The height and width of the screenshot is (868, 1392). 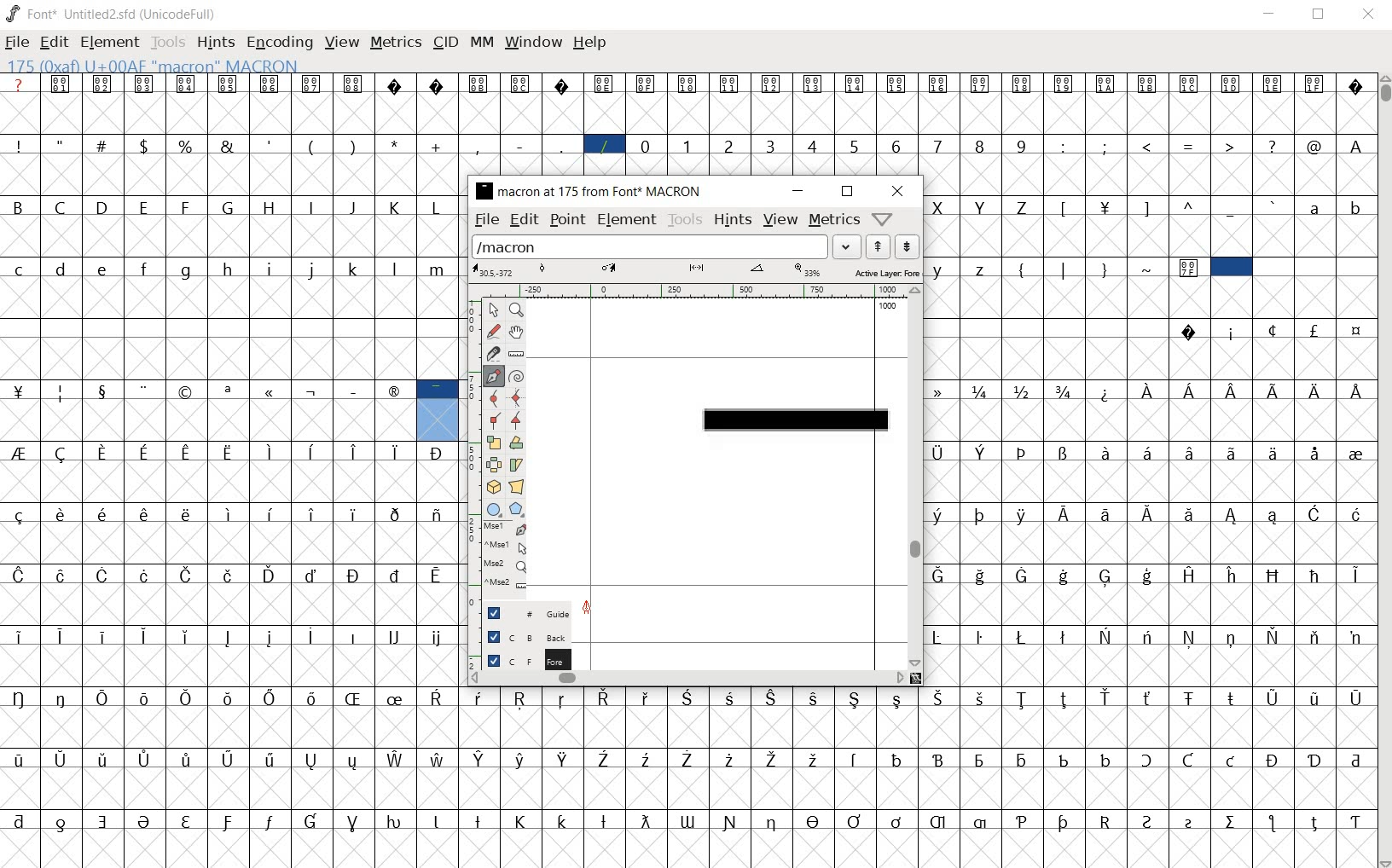 What do you see at coordinates (494, 485) in the screenshot?
I see `3D rotate` at bounding box center [494, 485].